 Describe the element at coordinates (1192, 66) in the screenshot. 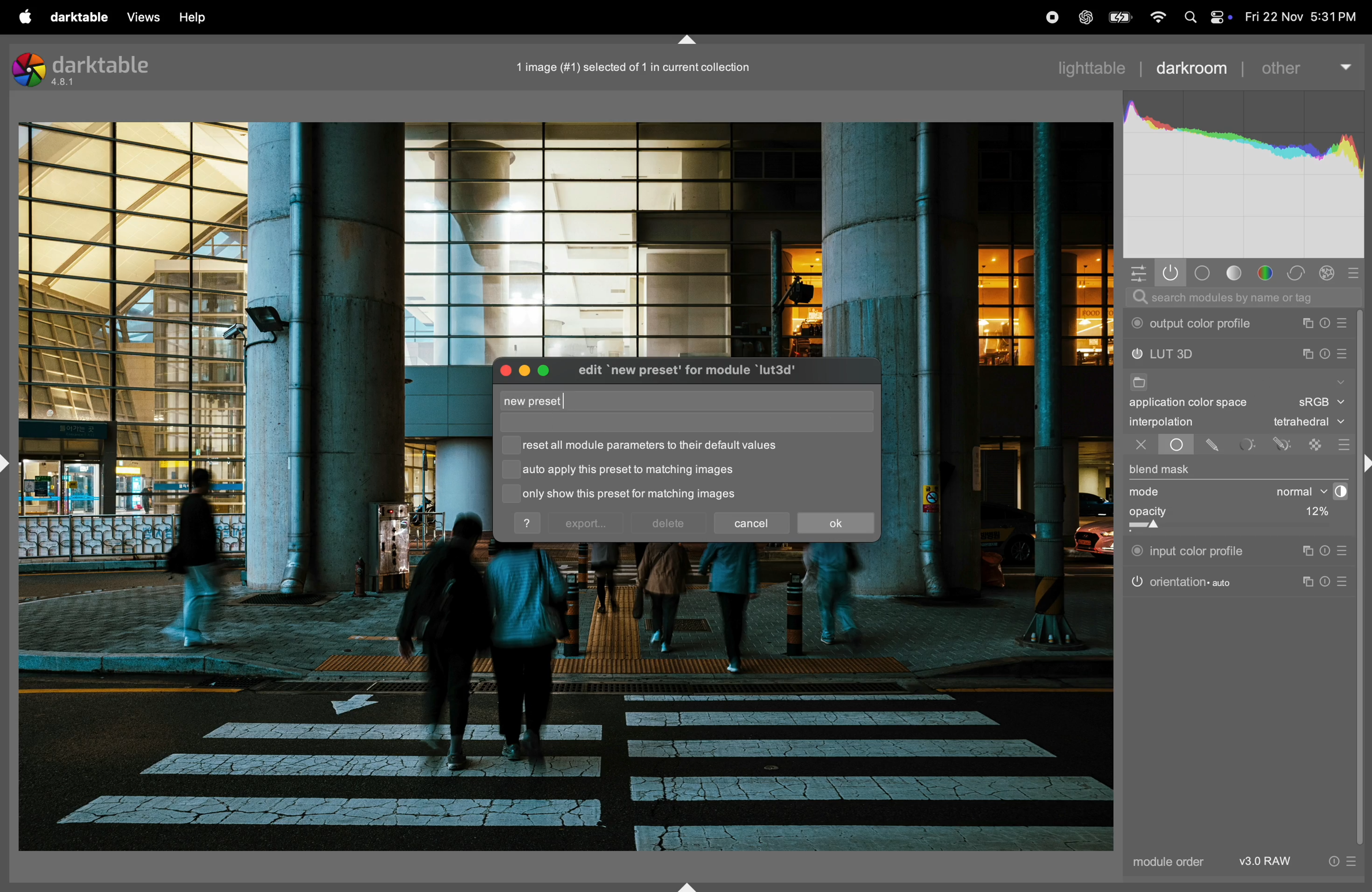

I see `darkroom` at that location.